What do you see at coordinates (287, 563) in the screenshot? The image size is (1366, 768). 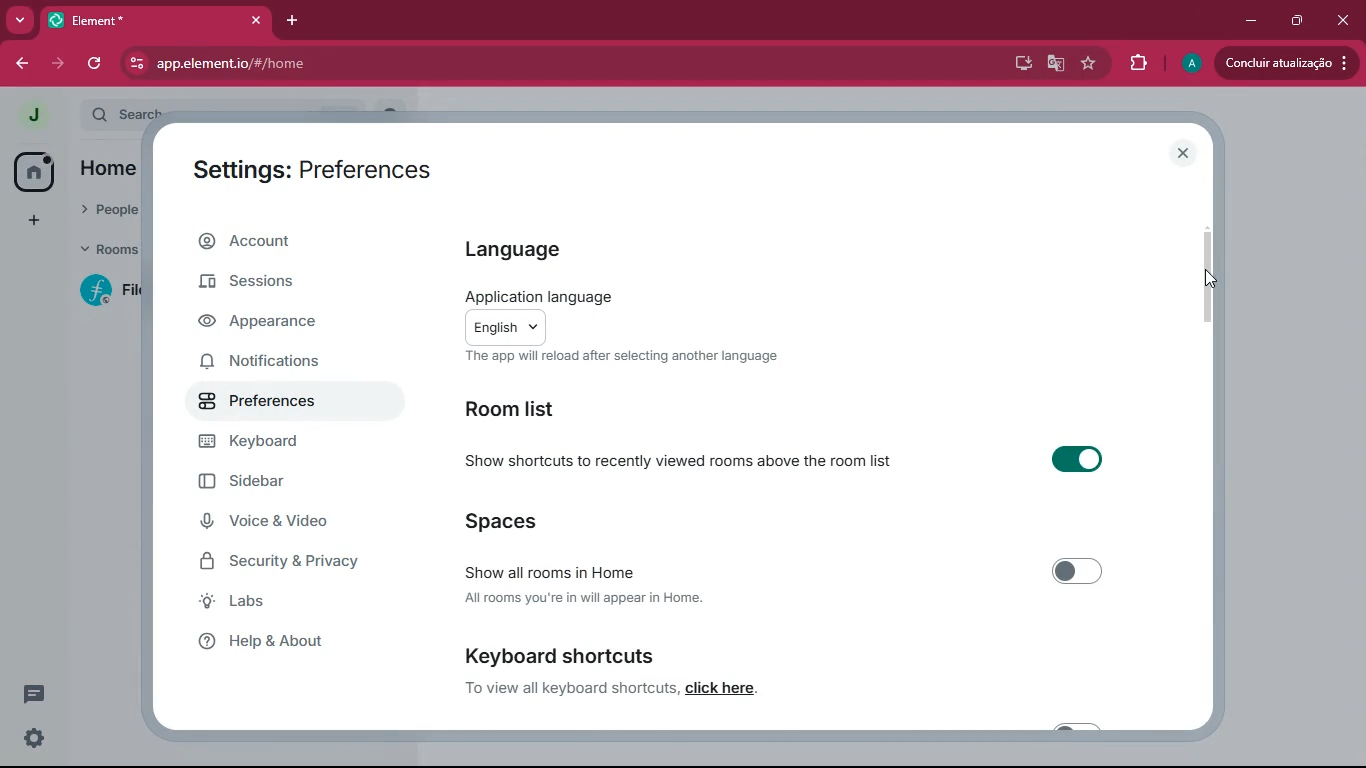 I see `security & Privacy` at bounding box center [287, 563].